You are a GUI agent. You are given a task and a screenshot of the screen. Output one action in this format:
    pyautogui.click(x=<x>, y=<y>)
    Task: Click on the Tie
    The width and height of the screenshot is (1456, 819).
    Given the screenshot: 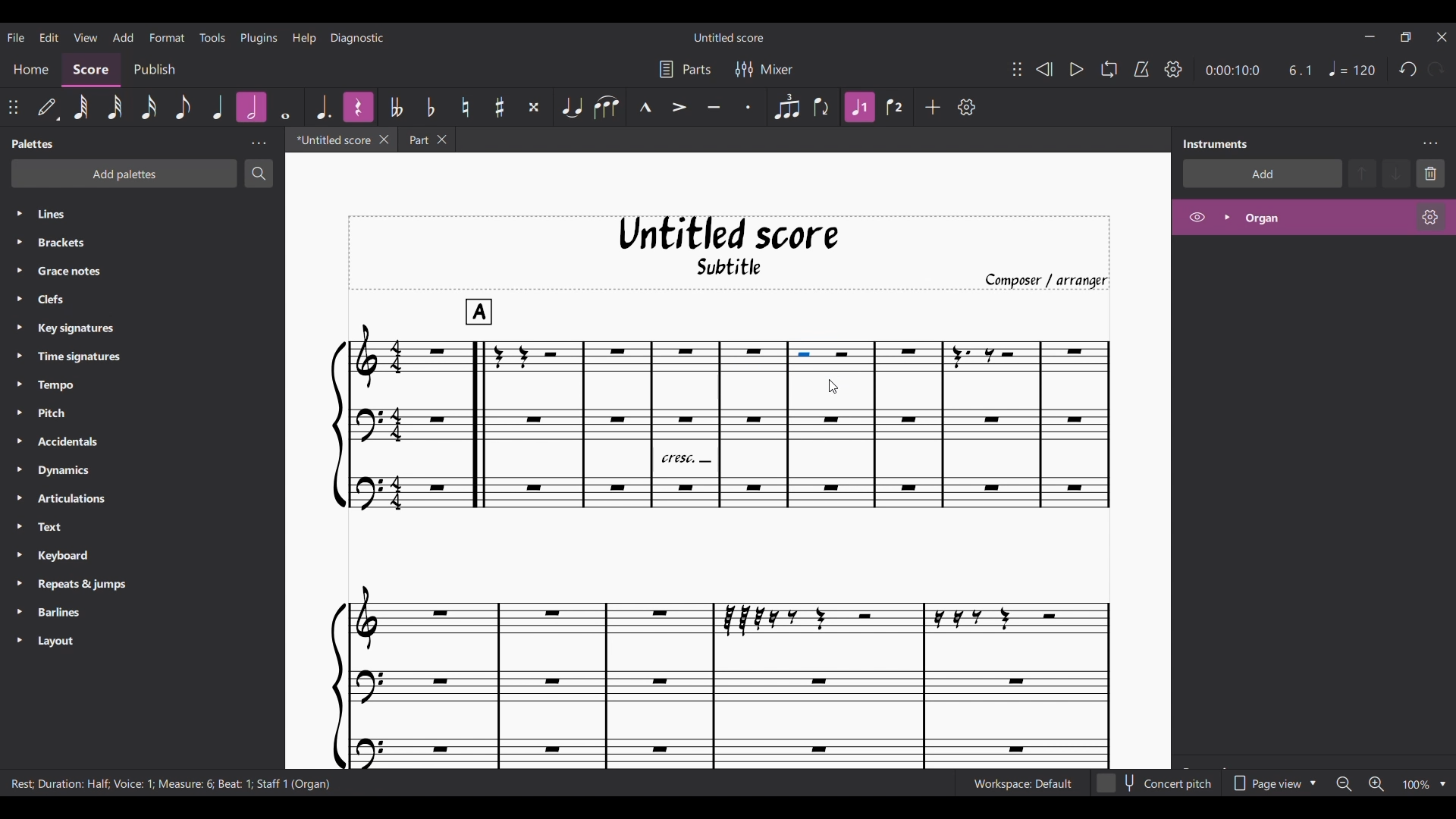 What is the action you would take?
    pyautogui.click(x=572, y=107)
    